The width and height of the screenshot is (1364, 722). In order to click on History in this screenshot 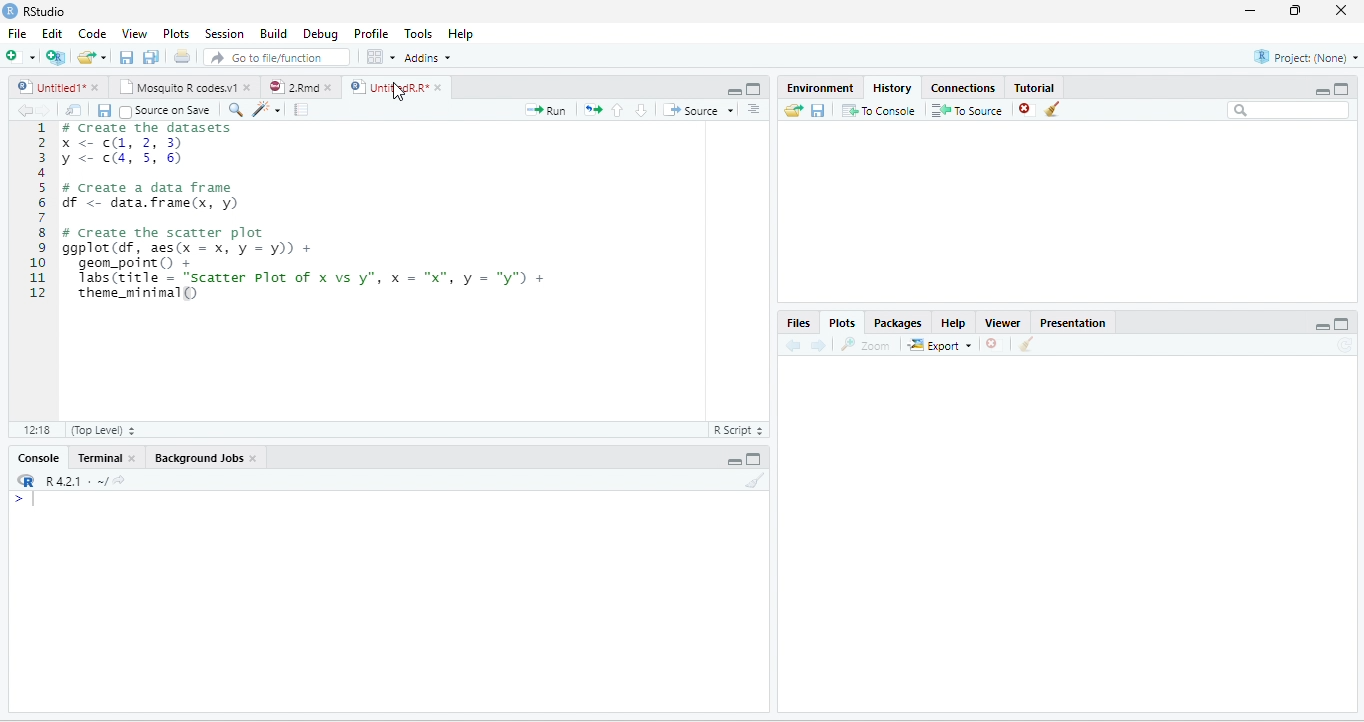, I will do `click(891, 88)`.